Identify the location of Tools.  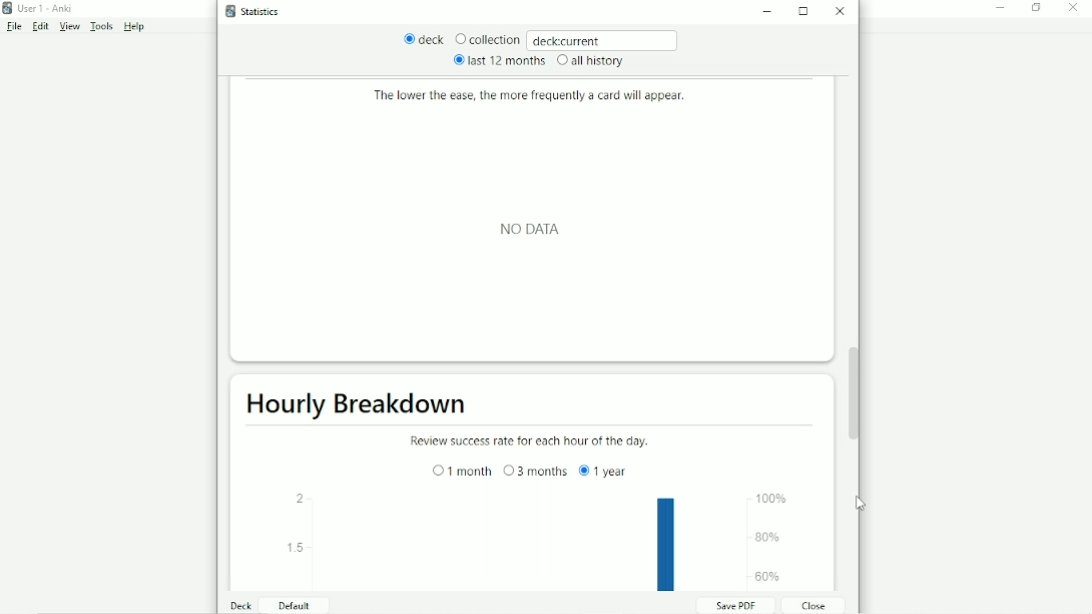
(103, 27).